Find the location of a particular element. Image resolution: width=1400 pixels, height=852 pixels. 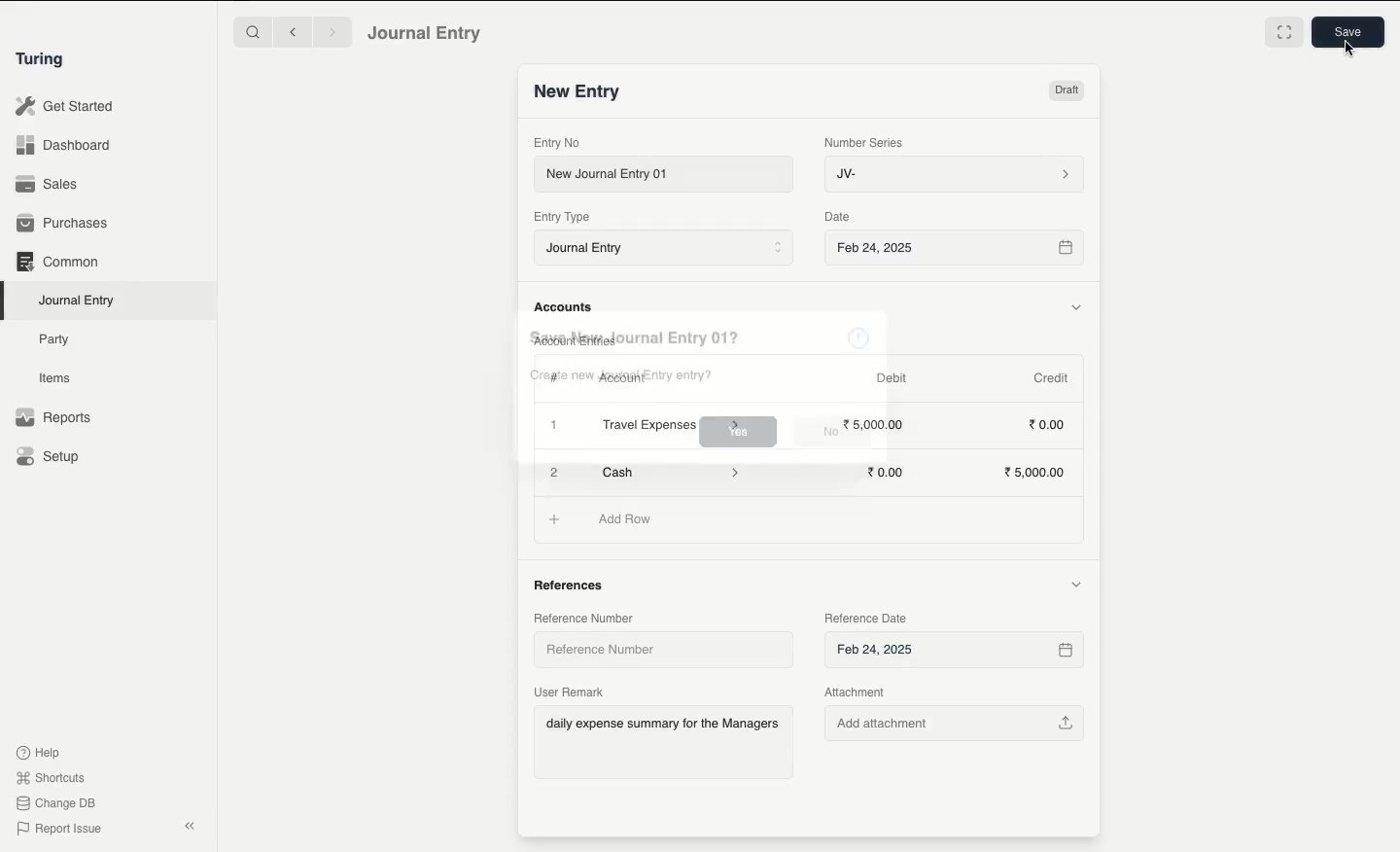

Purchases is located at coordinates (63, 225).